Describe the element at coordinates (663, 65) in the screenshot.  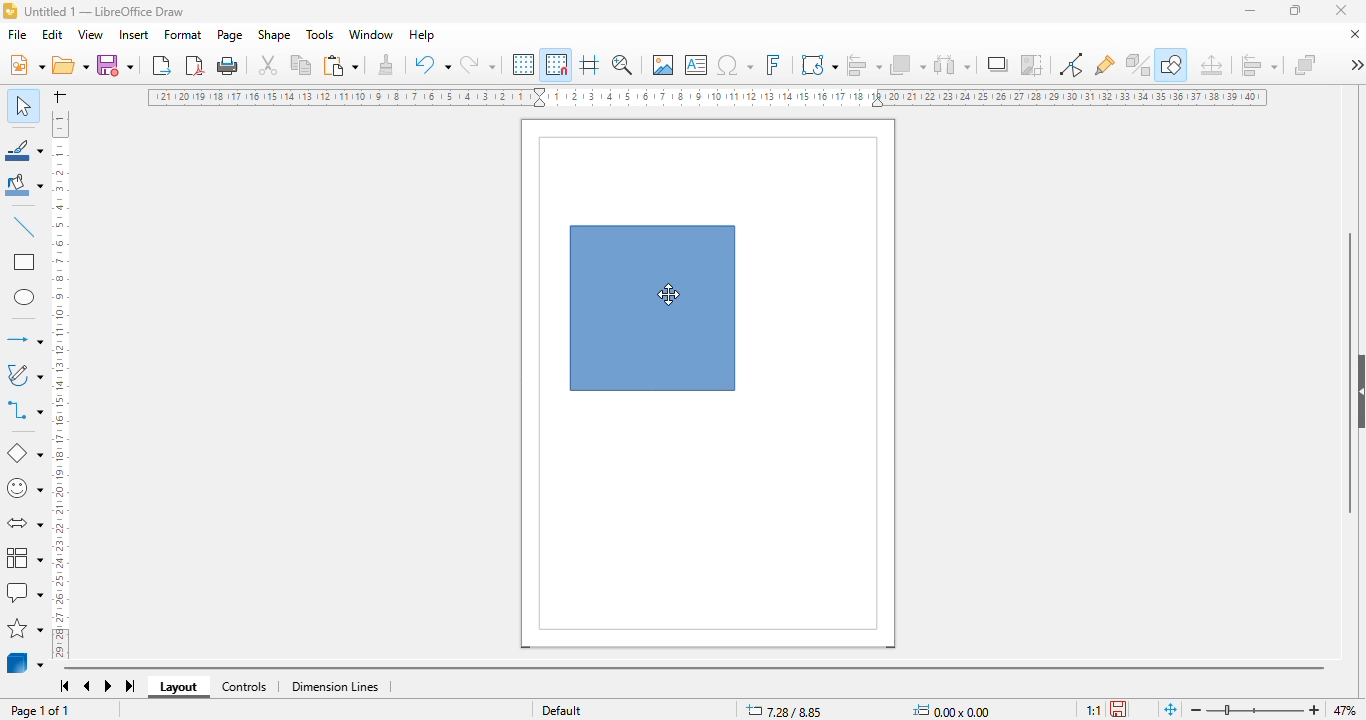
I see `insert image` at that location.